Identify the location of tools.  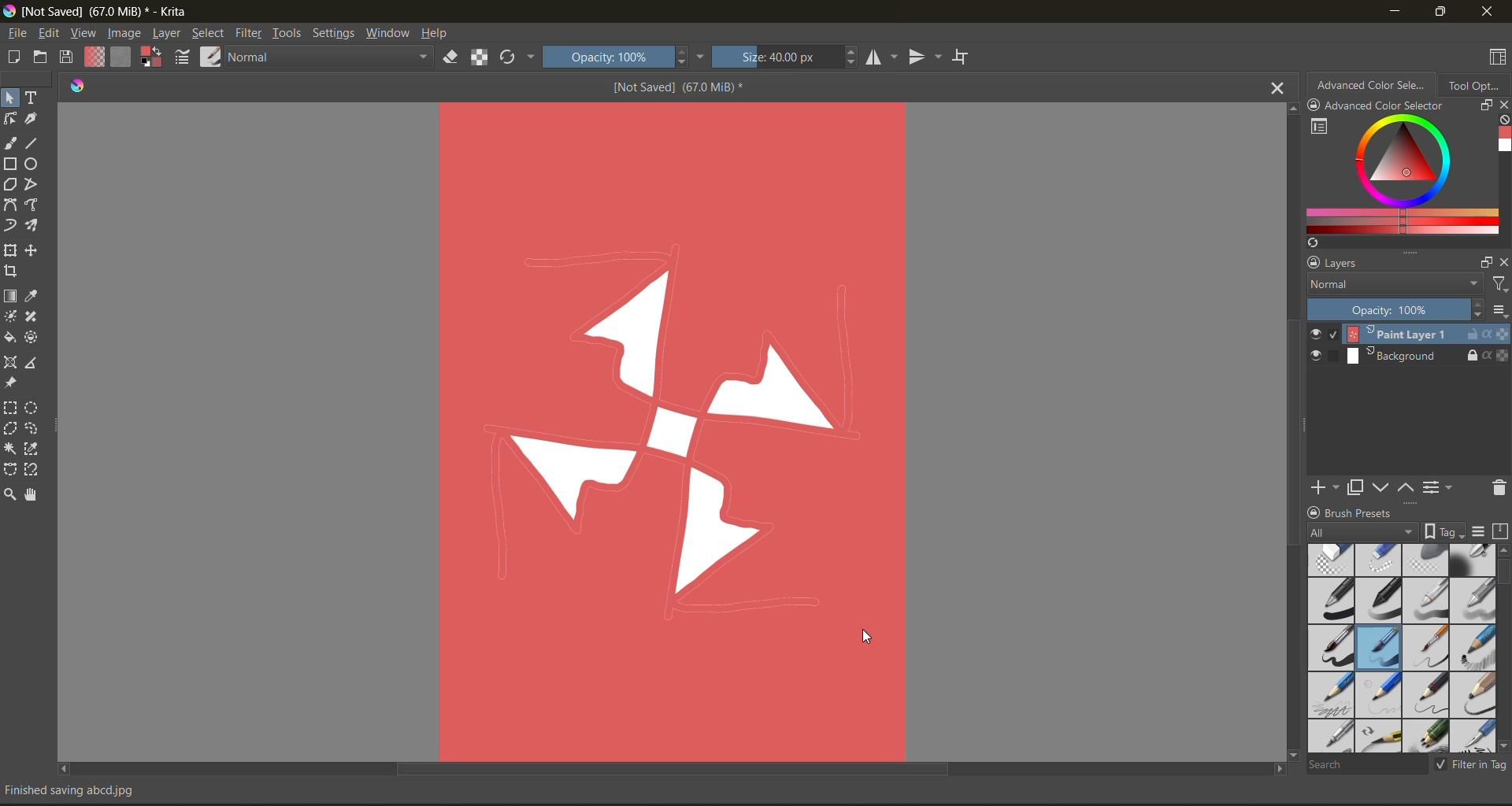
(33, 450).